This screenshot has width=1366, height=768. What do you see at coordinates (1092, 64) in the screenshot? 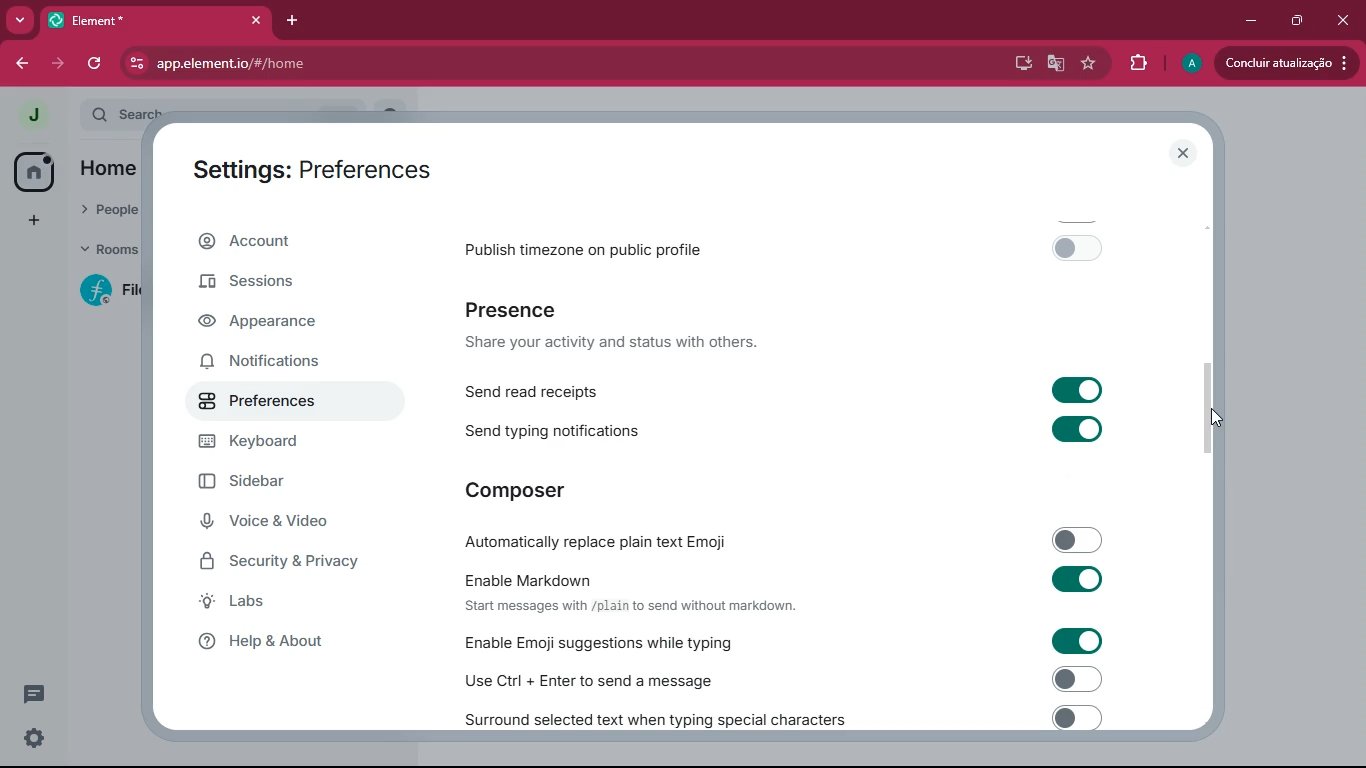
I see `favourite` at bounding box center [1092, 64].